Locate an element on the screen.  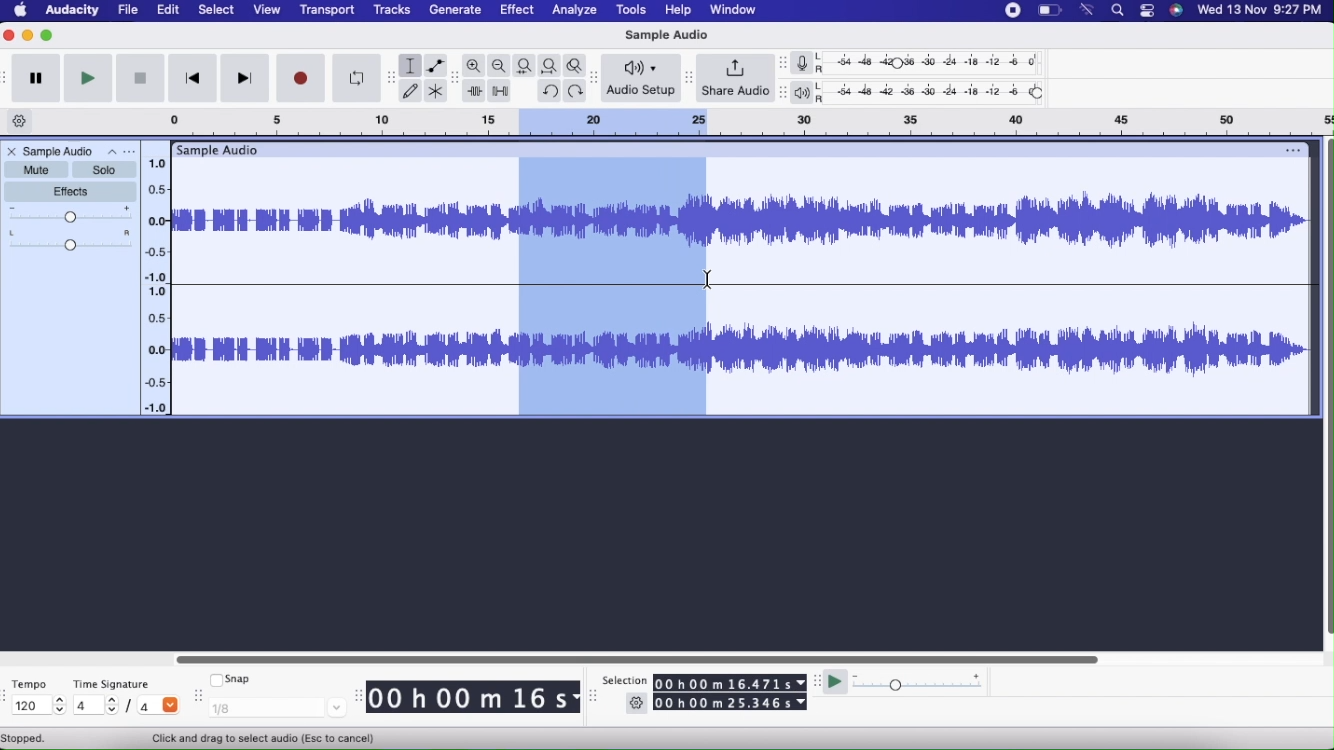
Effects is located at coordinates (73, 192).